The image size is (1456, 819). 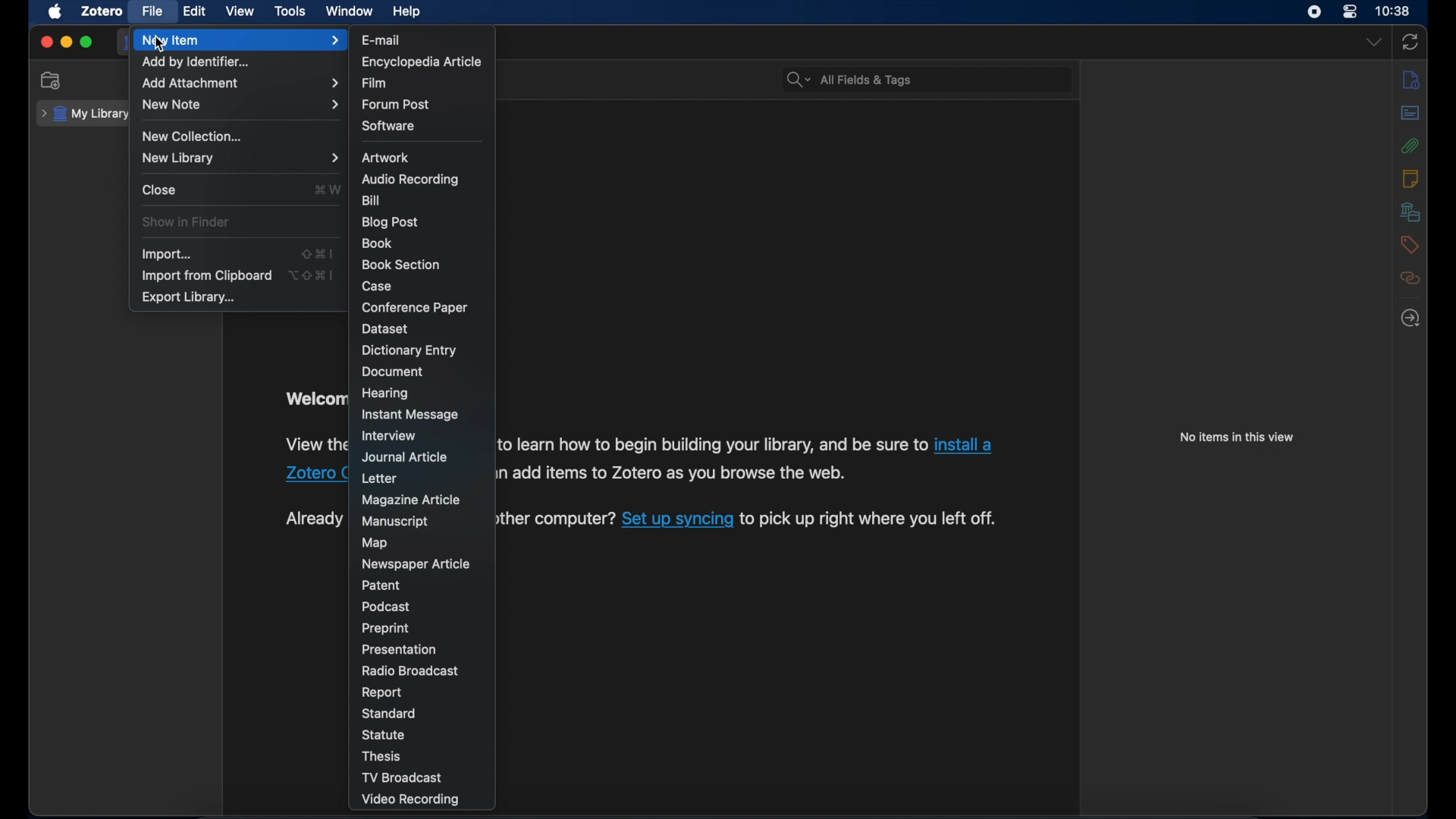 I want to click on software, so click(x=390, y=126).